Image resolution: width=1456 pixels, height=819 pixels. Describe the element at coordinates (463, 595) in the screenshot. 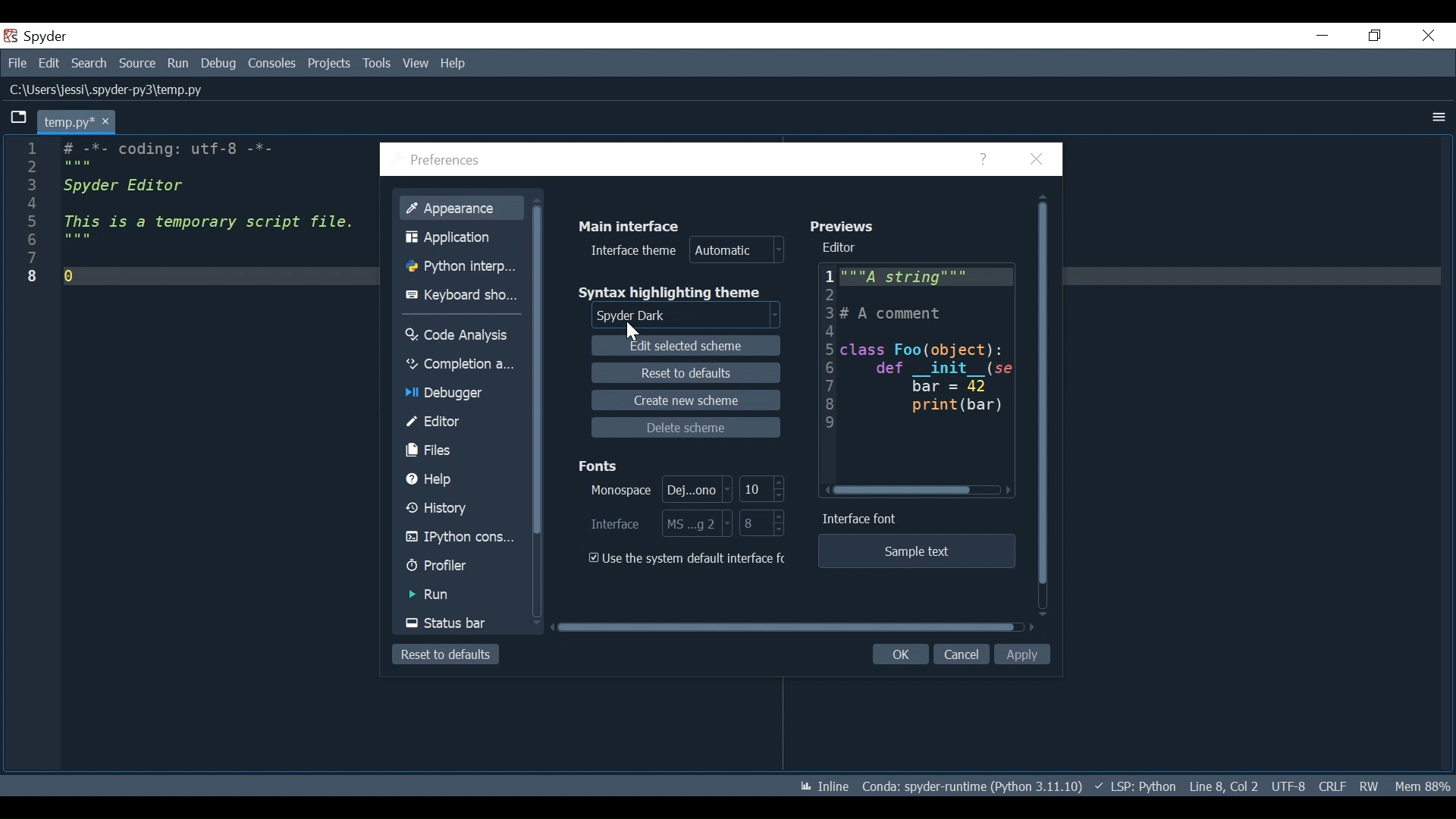

I see `Run` at that location.